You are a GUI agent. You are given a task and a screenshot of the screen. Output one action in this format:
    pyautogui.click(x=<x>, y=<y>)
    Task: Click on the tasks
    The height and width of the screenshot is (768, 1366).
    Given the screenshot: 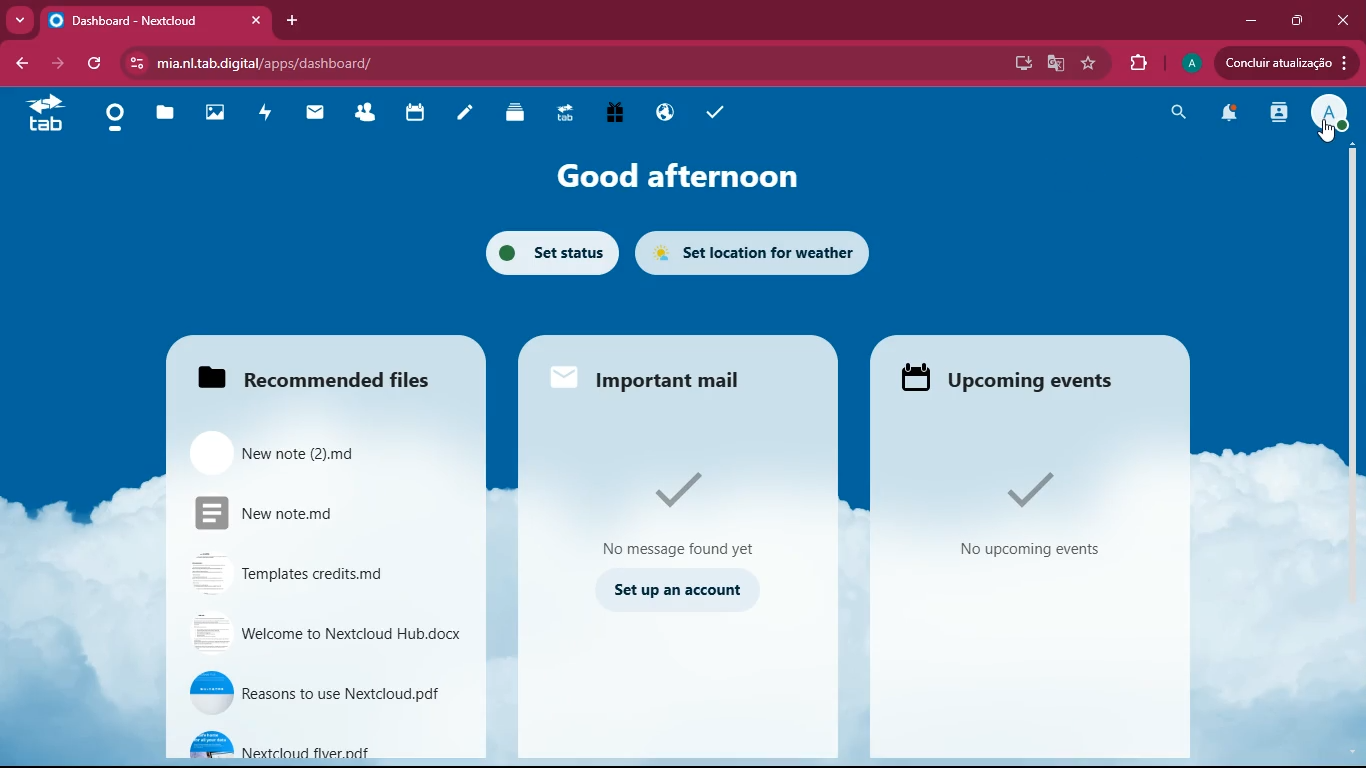 What is the action you would take?
    pyautogui.click(x=715, y=112)
    